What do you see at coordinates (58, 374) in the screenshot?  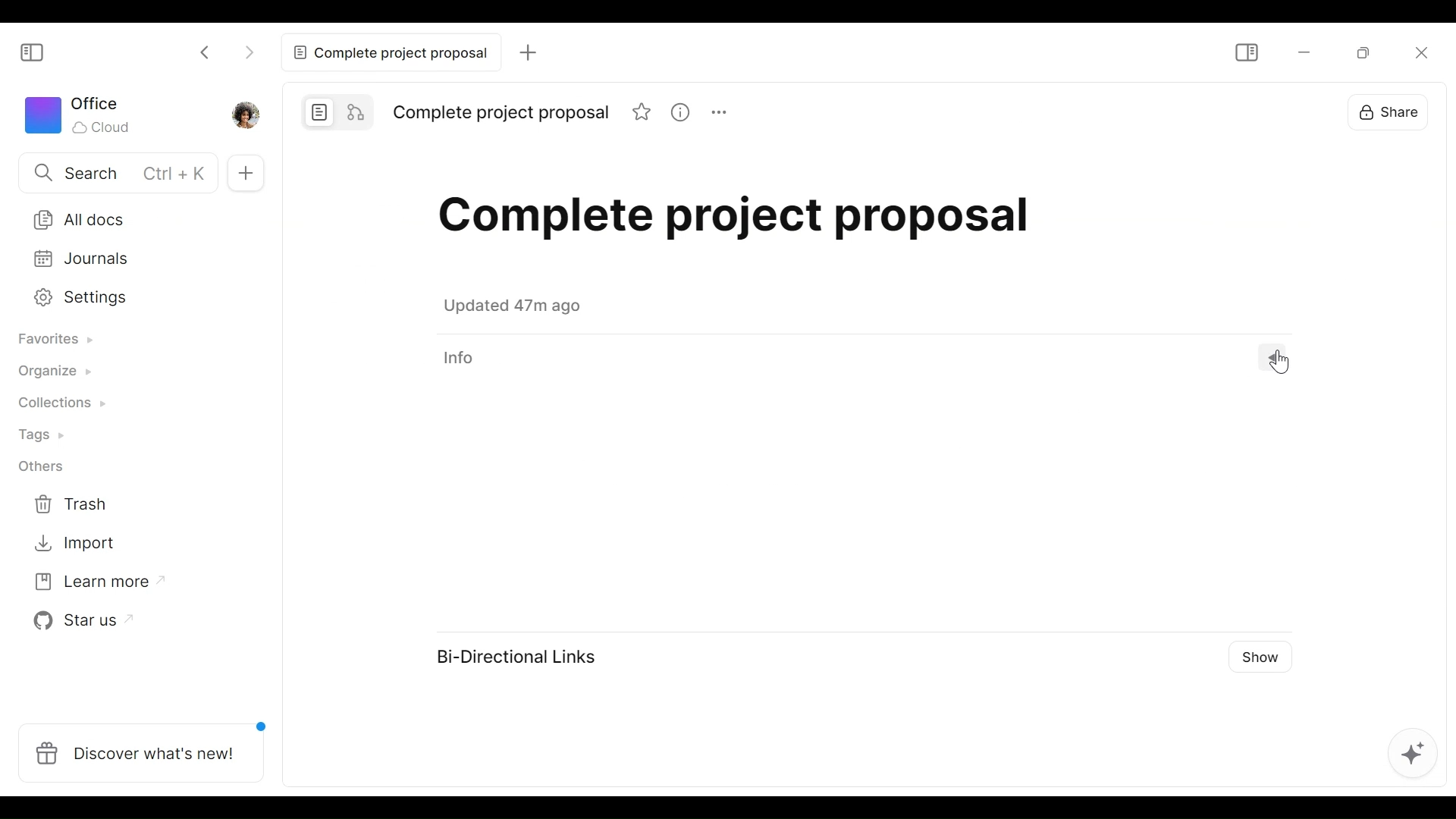 I see `Organize` at bounding box center [58, 374].